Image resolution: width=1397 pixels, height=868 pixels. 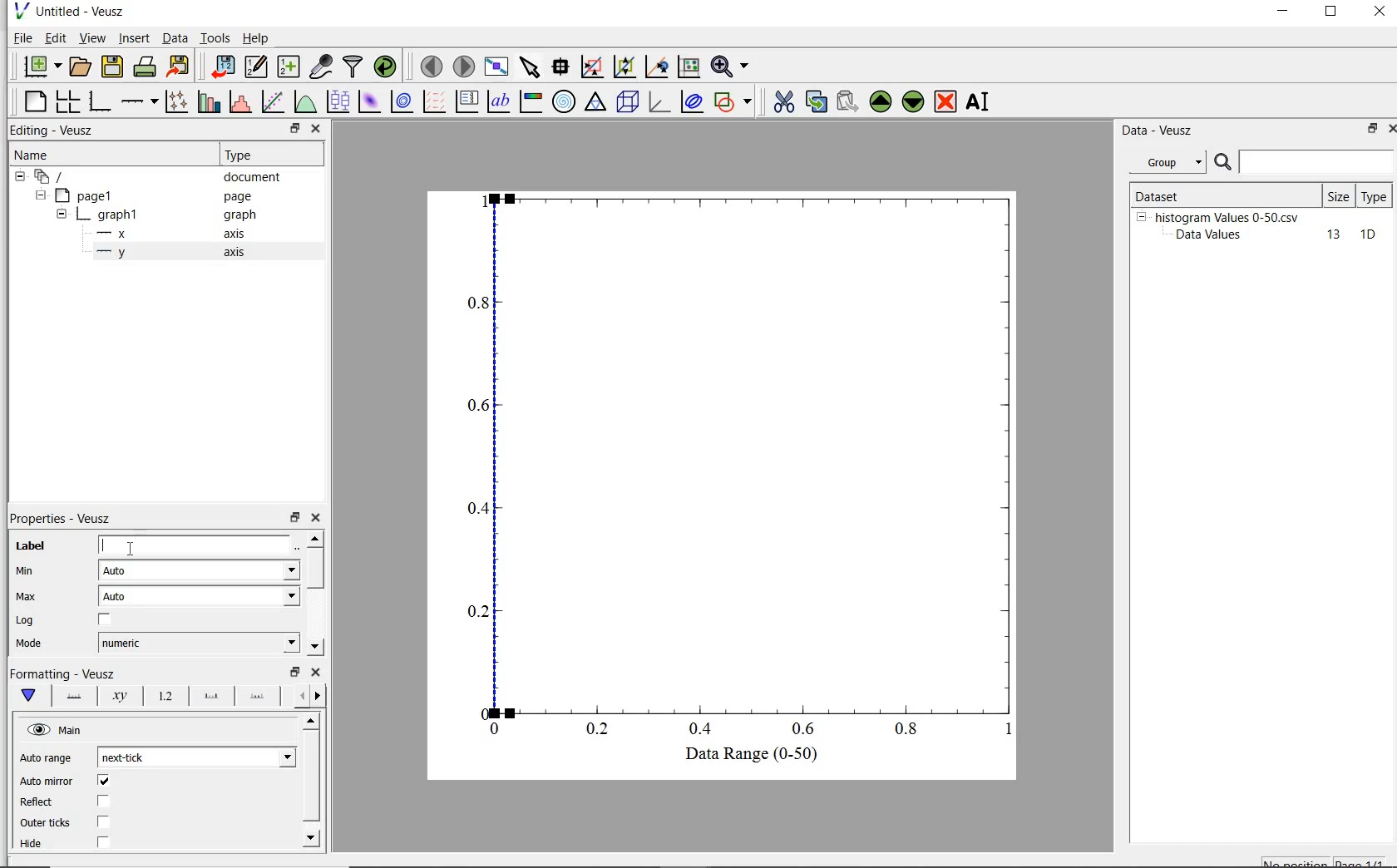 What do you see at coordinates (134, 38) in the screenshot?
I see `insert` at bounding box center [134, 38].